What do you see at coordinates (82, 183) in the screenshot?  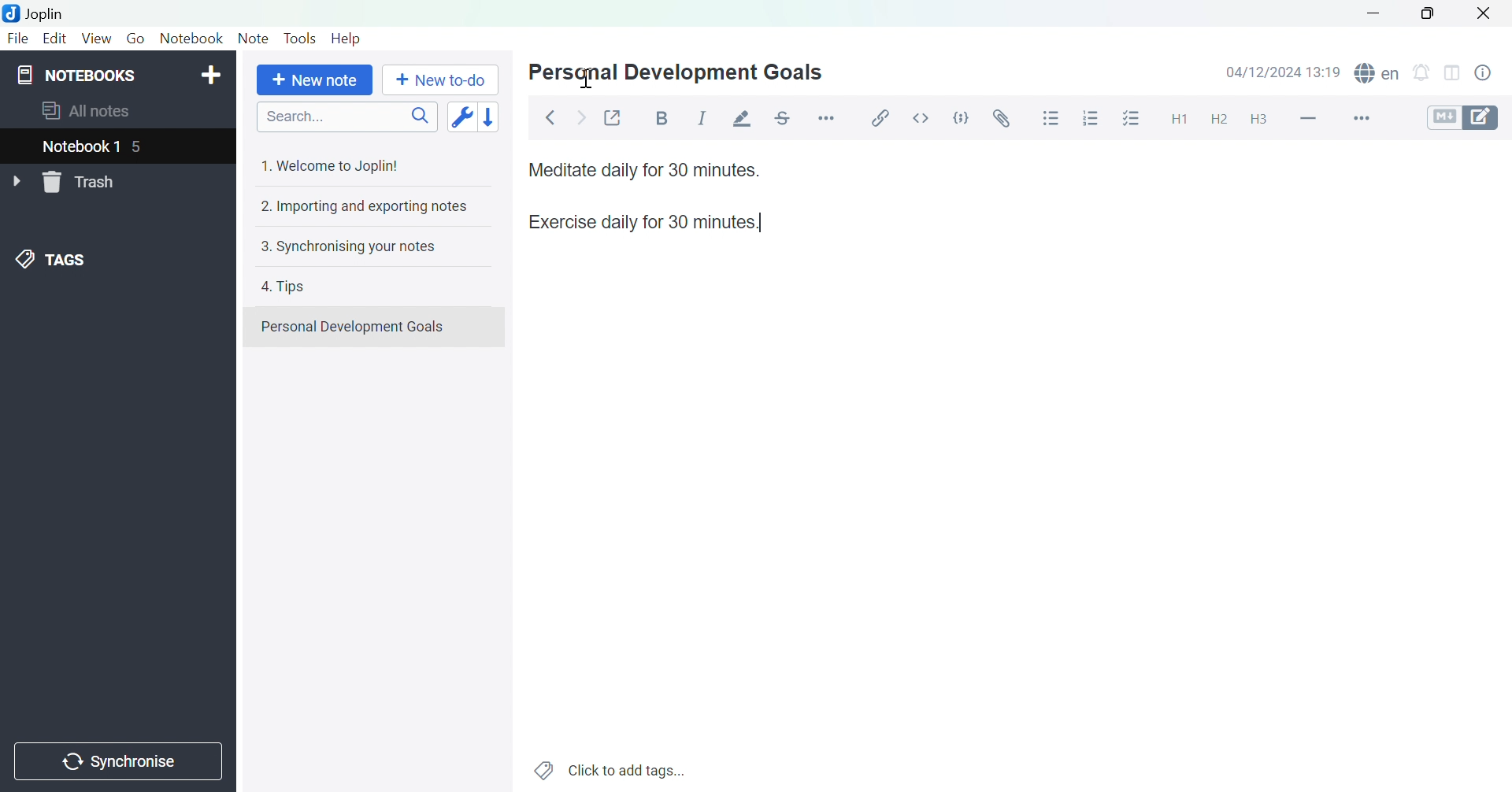 I see `Trash` at bounding box center [82, 183].